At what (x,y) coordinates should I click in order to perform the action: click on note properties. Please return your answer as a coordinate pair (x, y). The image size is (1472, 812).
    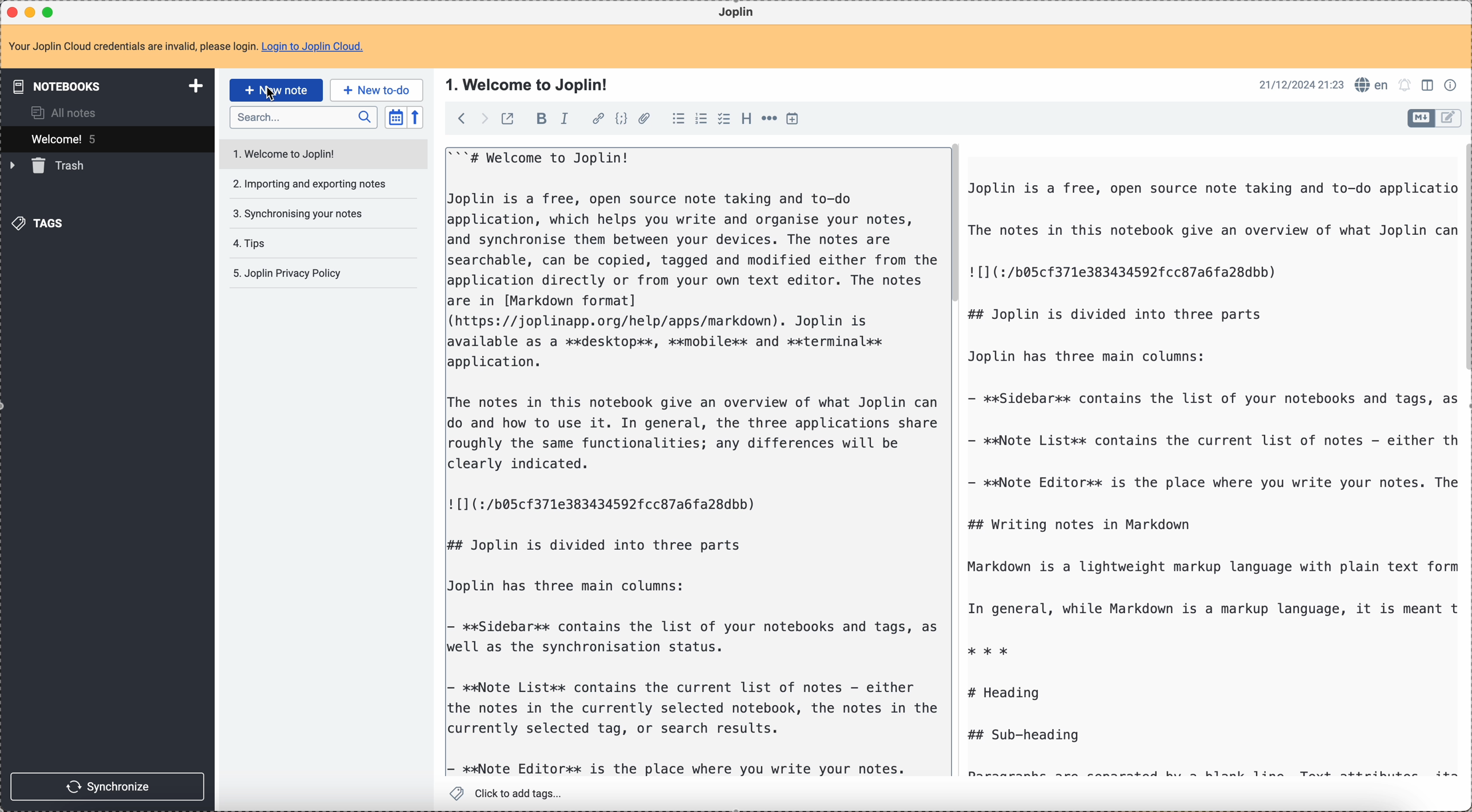
    Looking at the image, I should click on (1451, 86).